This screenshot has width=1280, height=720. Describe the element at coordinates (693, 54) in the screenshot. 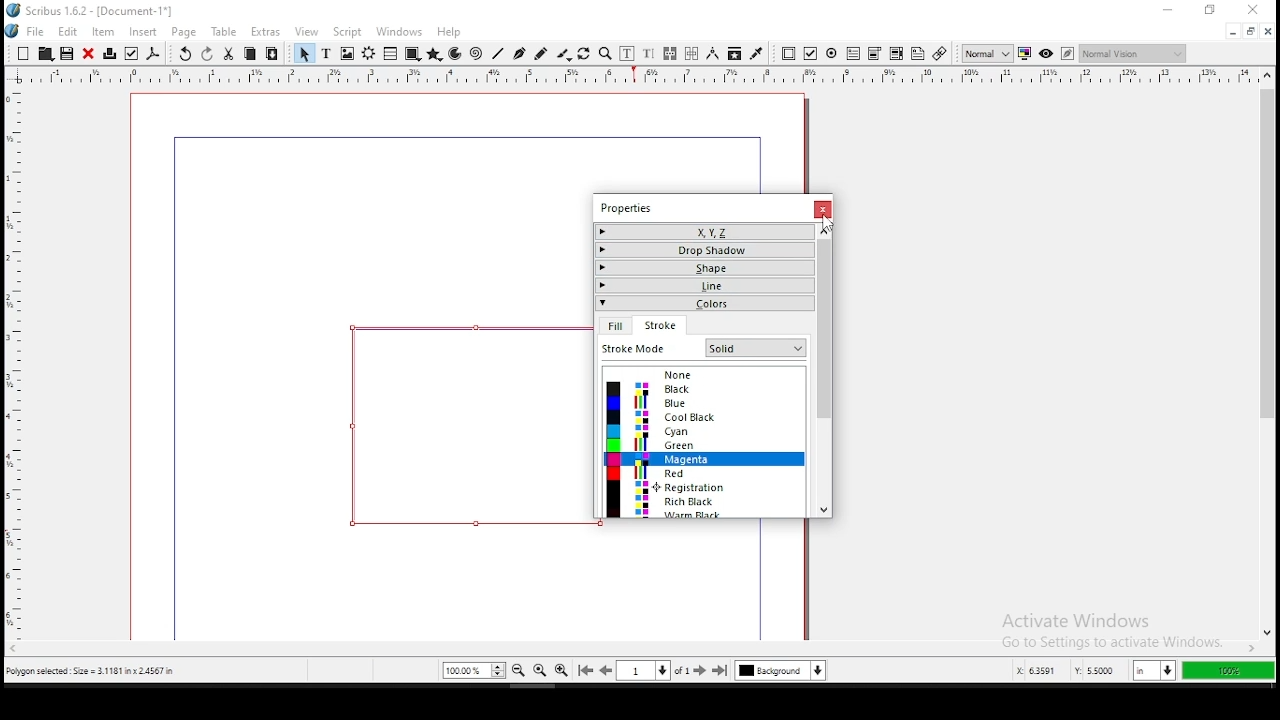

I see `unlink text frames` at that location.